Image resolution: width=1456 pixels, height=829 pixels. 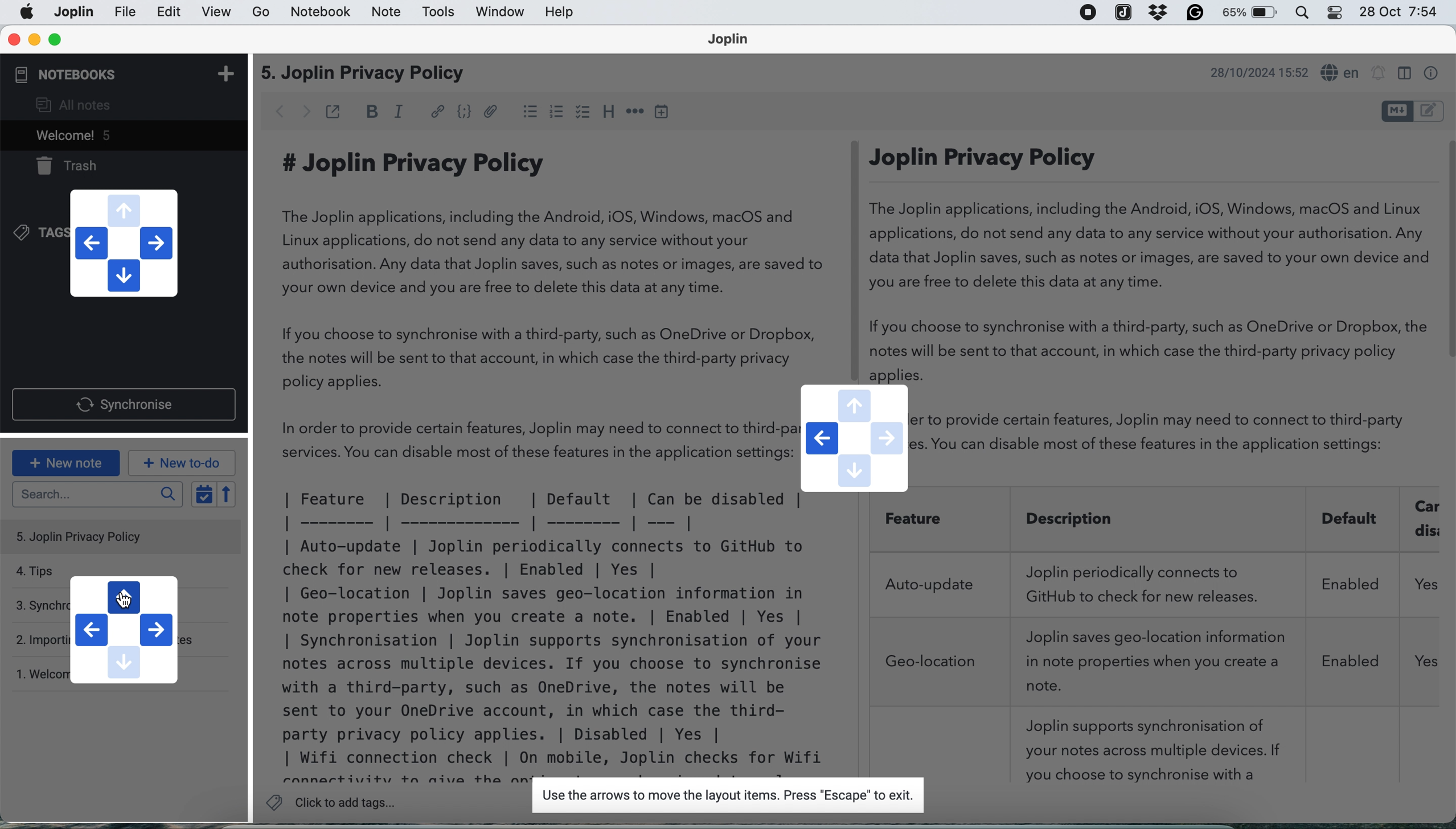 I want to click on dropbox, so click(x=1155, y=13).